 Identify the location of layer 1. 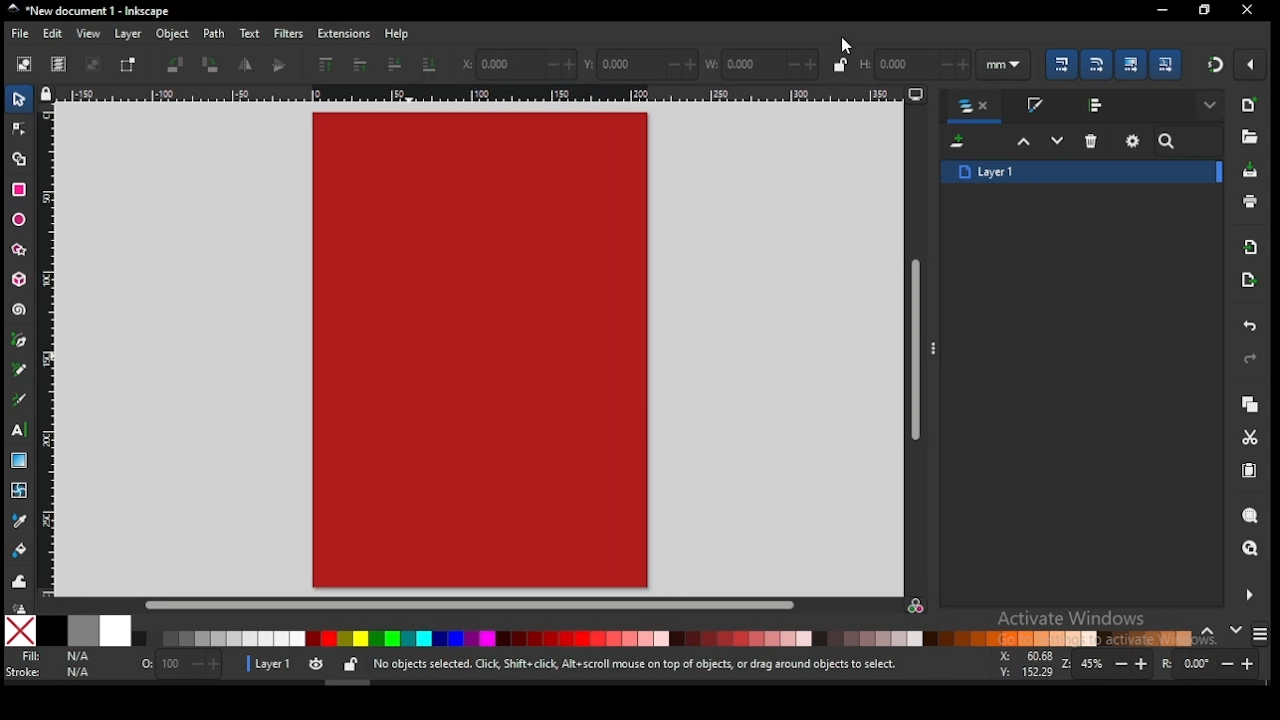
(1082, 171).